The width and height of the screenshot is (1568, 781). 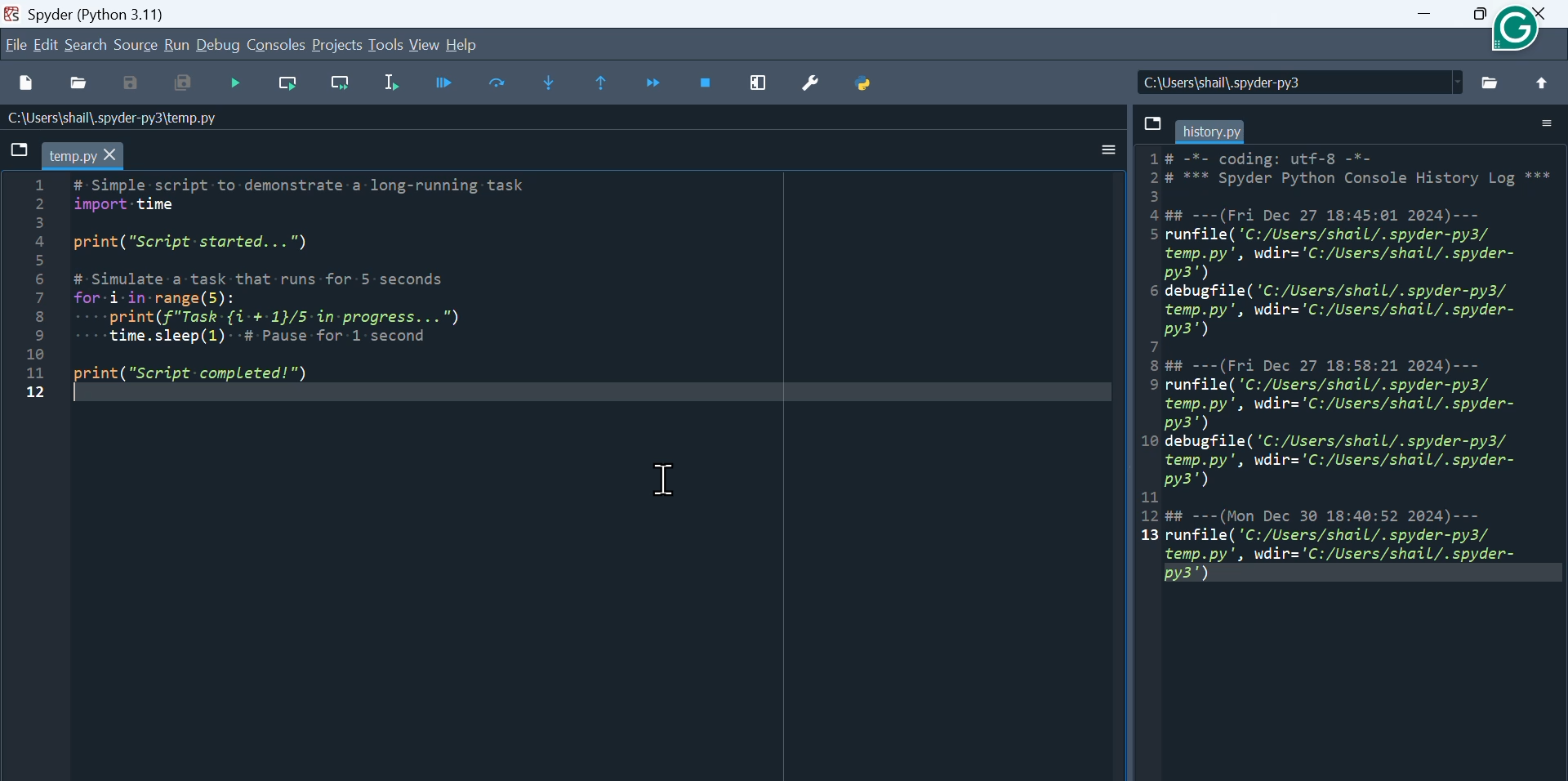 What do you see at coordinates (390, 84) in the screenshot?
I see `Run selection` at bounding box center [390, 84].